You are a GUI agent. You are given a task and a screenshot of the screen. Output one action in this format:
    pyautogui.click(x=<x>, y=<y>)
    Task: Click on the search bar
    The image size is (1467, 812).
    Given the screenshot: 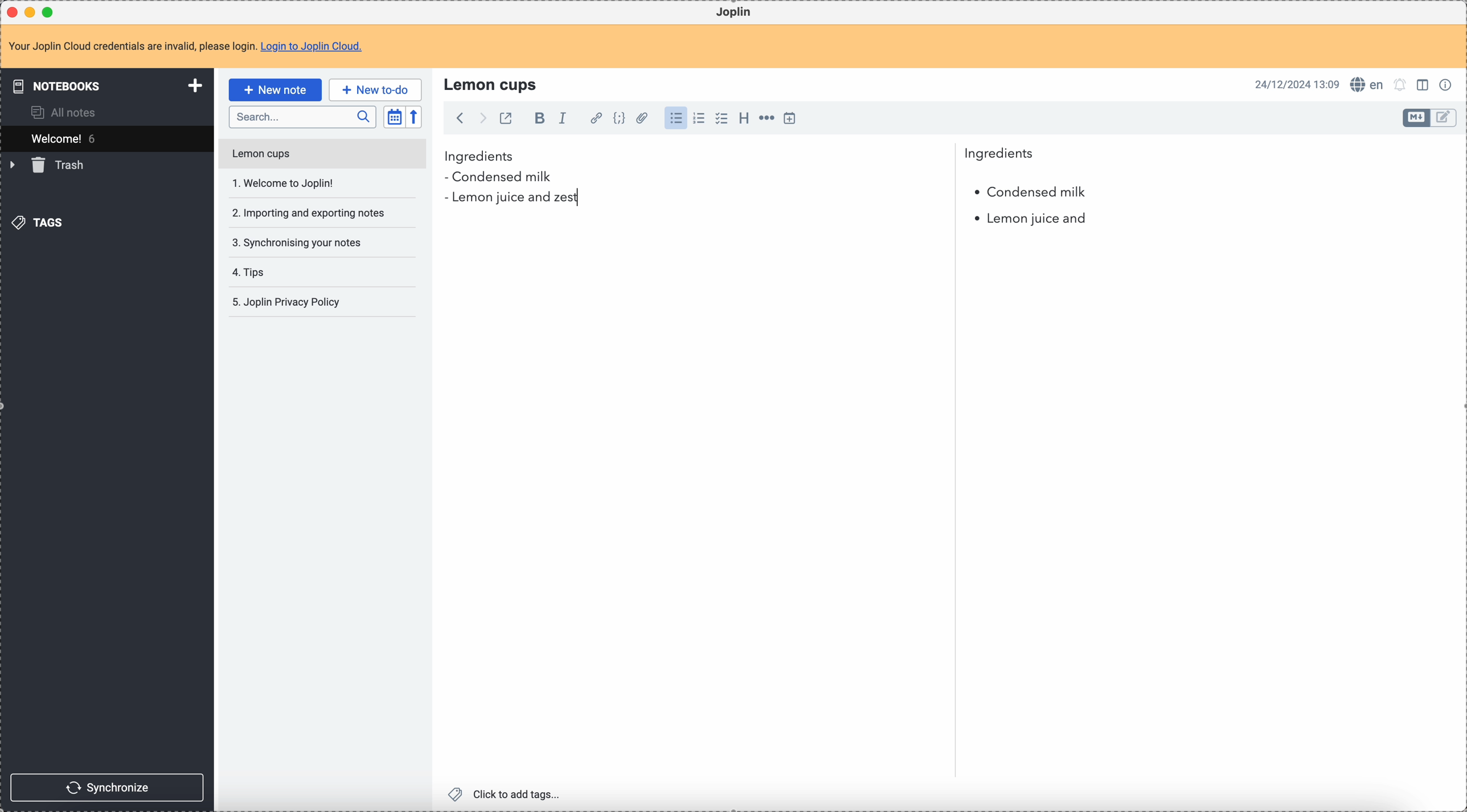 What is the action you would take?
    pyautogui.click(x=302, y=117)
    